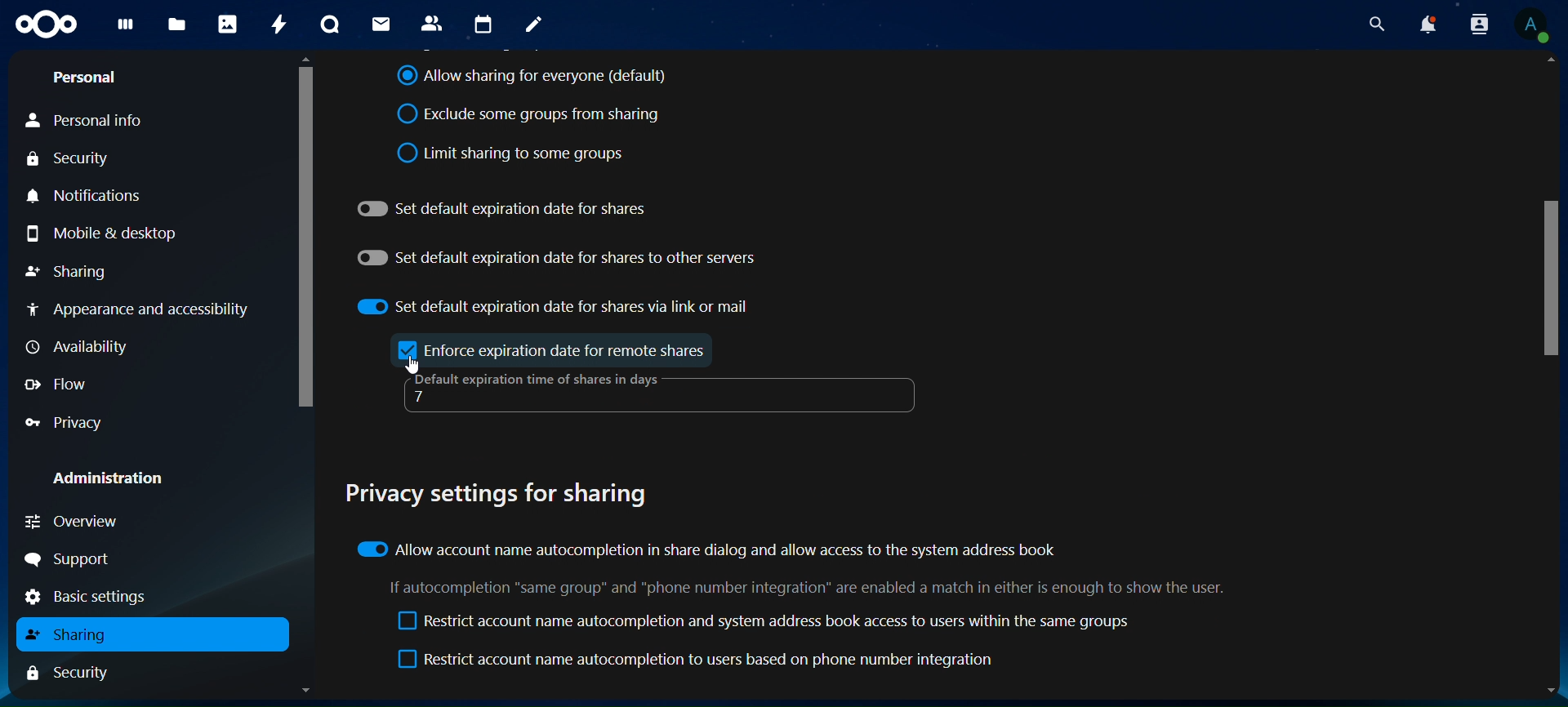  I want to click on overview, so click(73, 522).